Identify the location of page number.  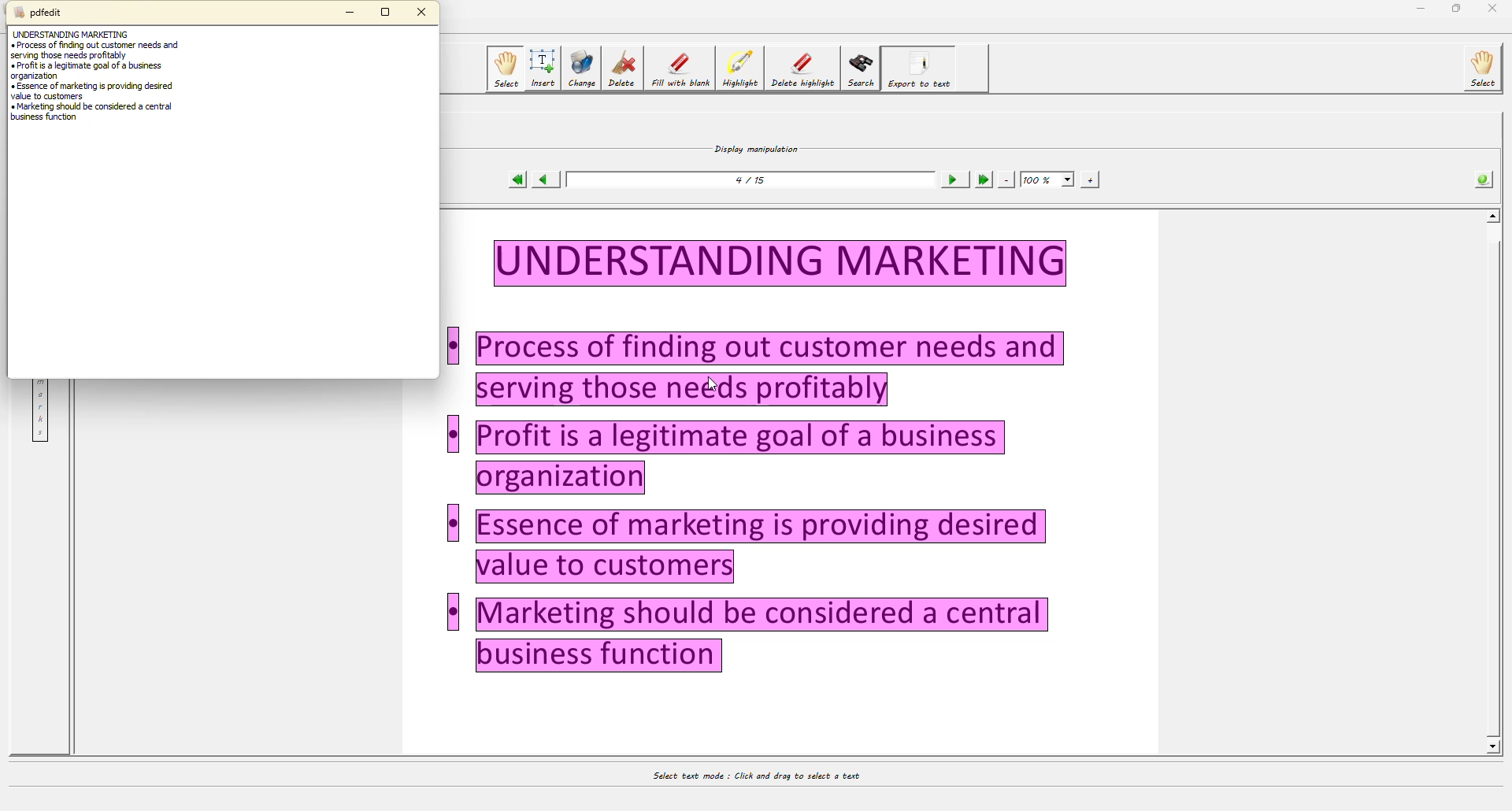
(757, 181).